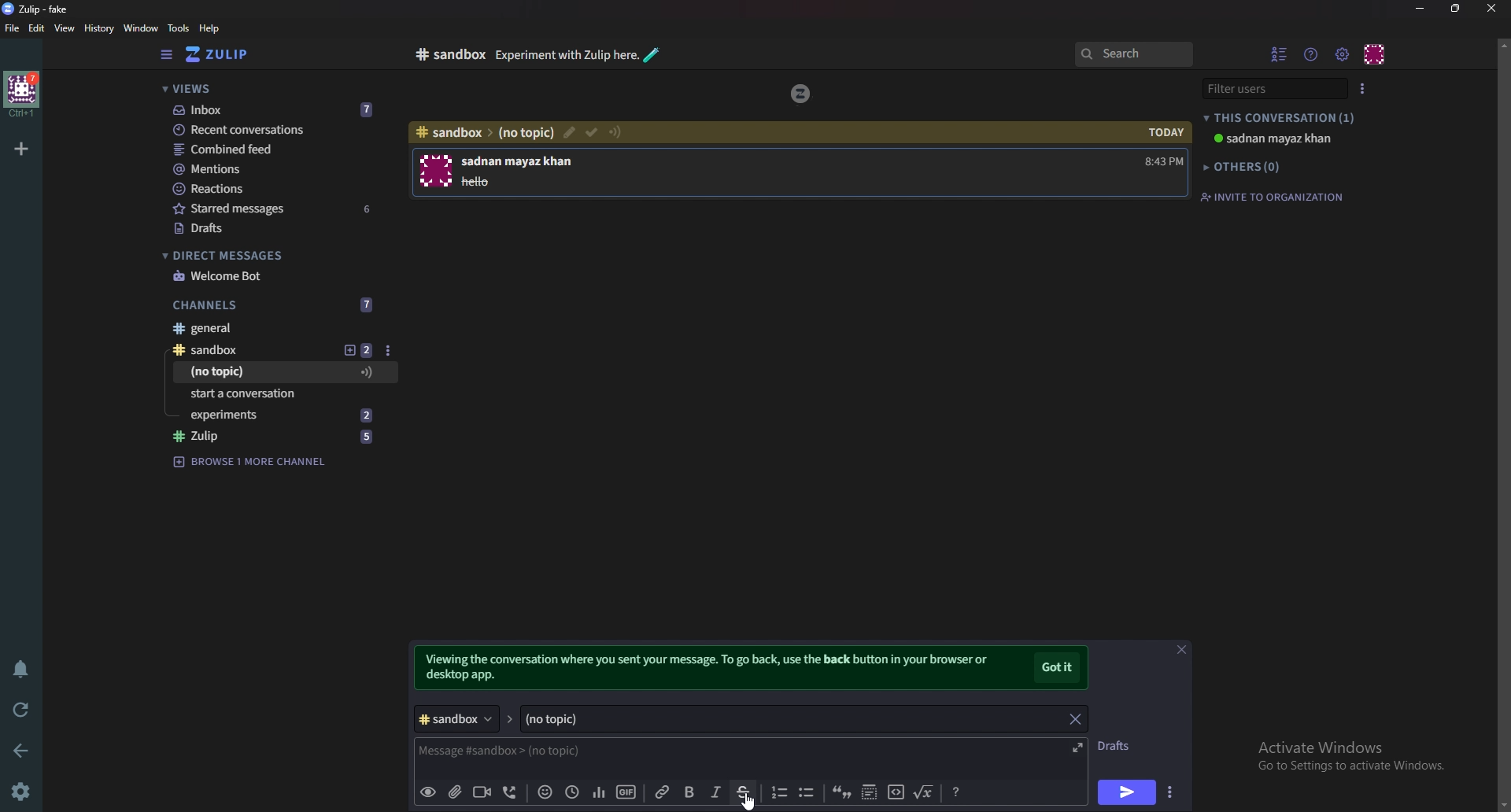  What do you see at coordinates (100, 28) in the screenshot?
I see `history` at bounding box center [100, 28].